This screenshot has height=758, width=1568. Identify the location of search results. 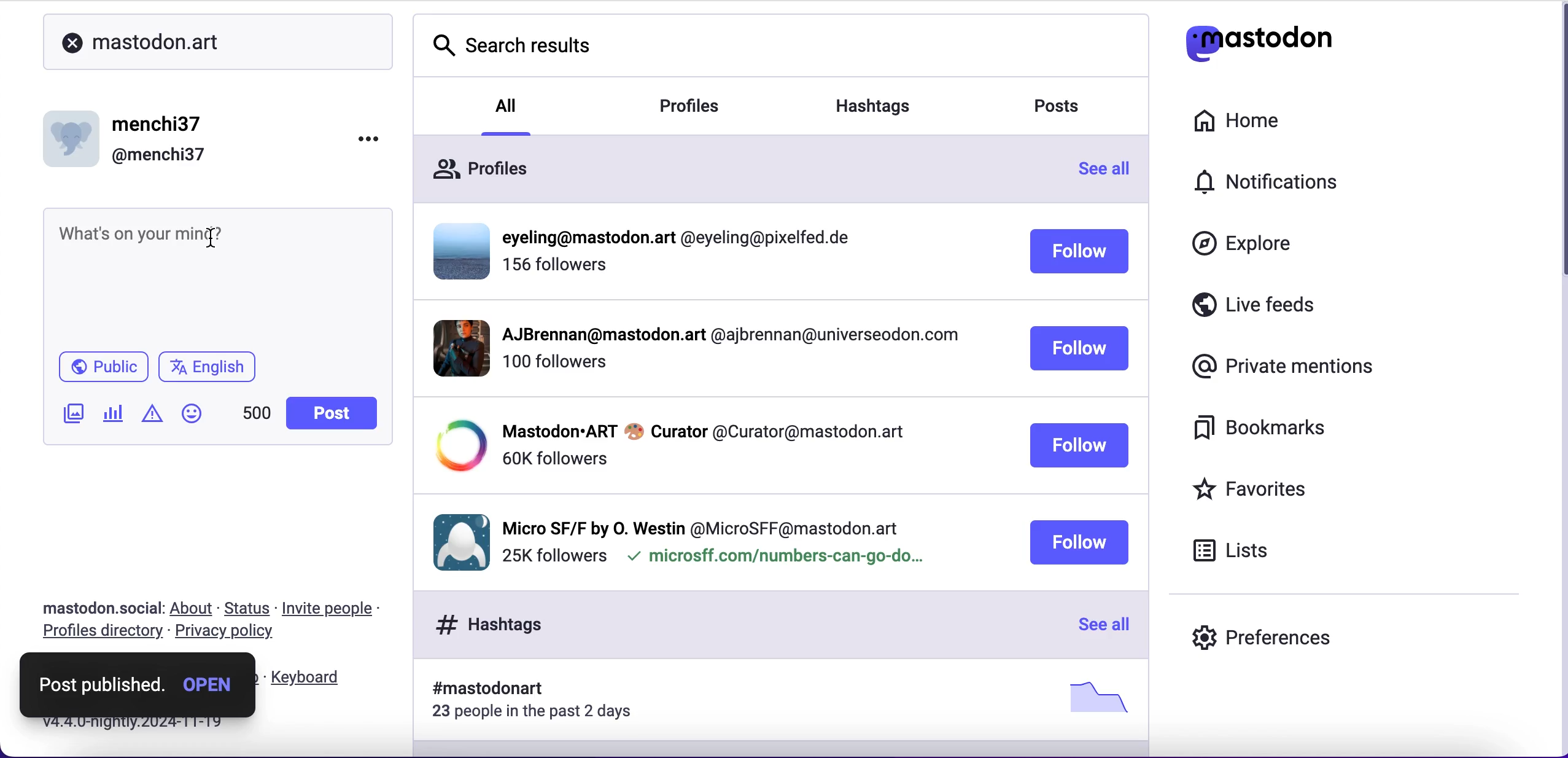
(505, 39).